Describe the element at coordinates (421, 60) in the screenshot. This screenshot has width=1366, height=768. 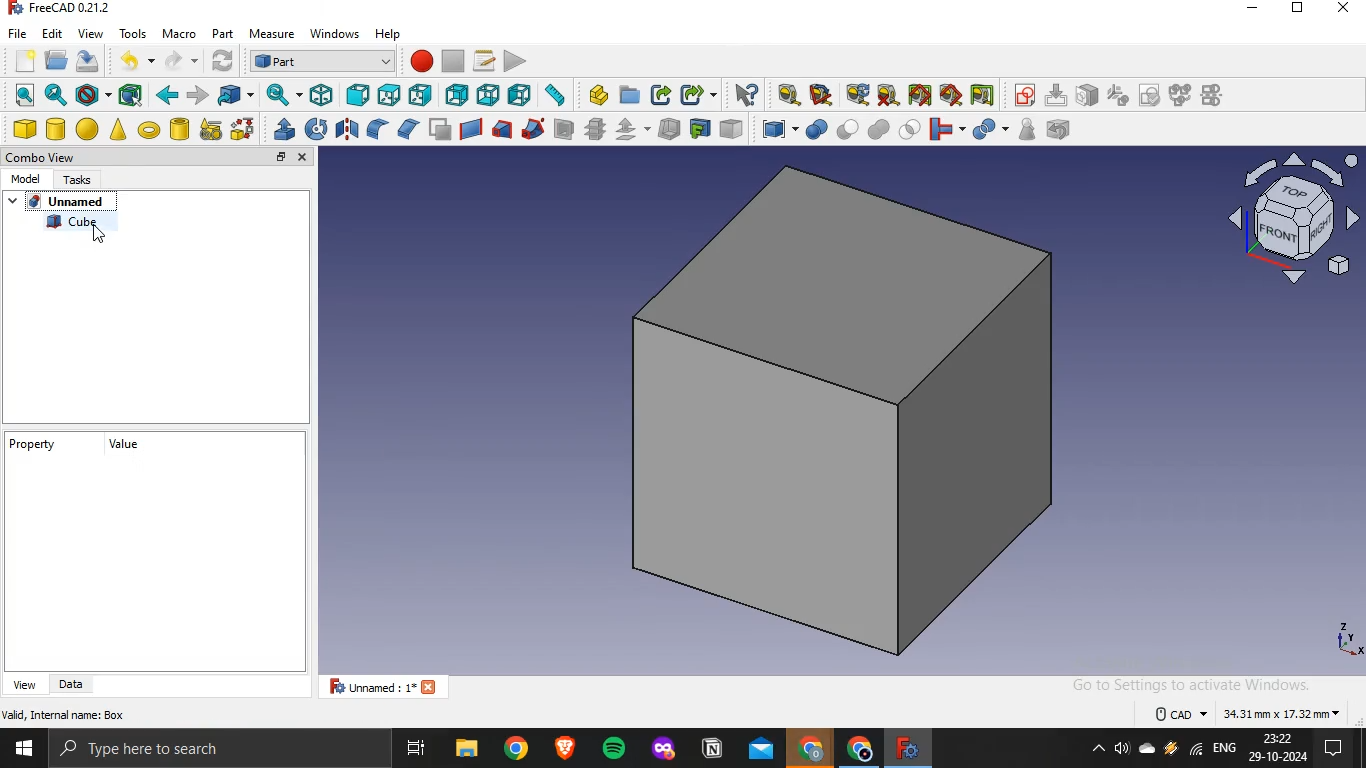
I see `start macro recording` at that location.